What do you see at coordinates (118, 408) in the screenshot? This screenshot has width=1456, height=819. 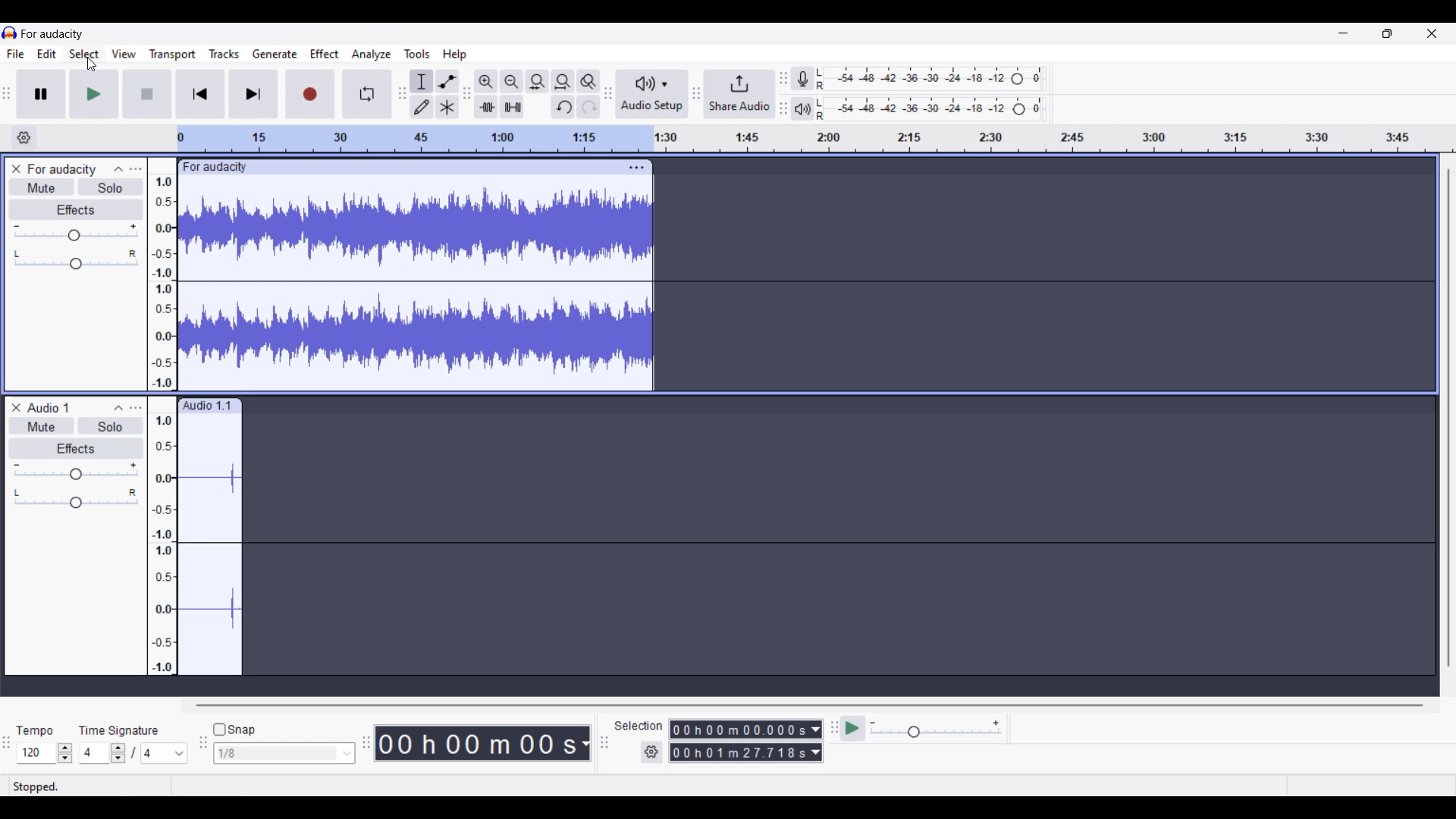 I see `collapse` at bounding box center [118, 408].